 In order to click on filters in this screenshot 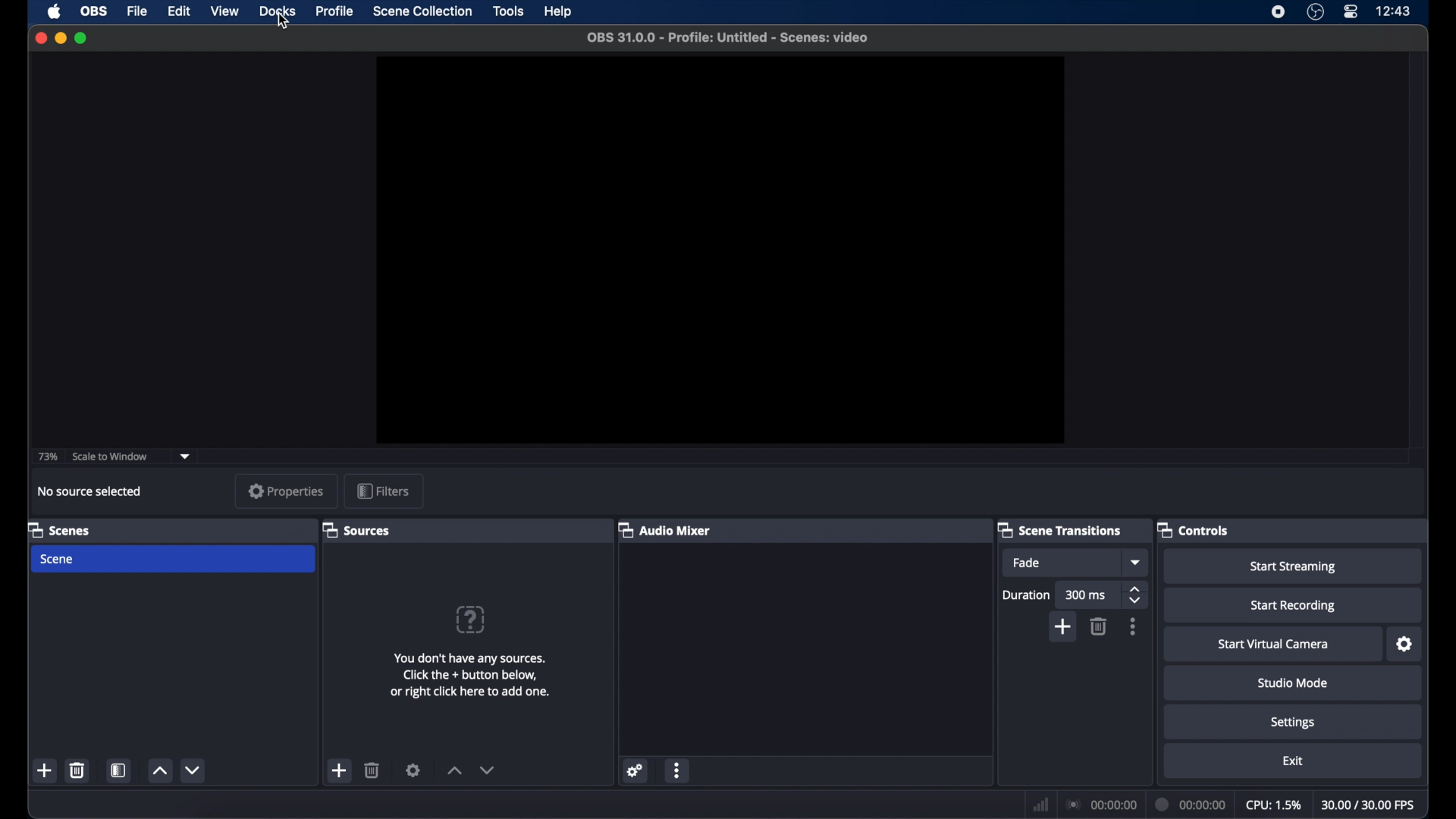, I will do `click(383, 491)`.